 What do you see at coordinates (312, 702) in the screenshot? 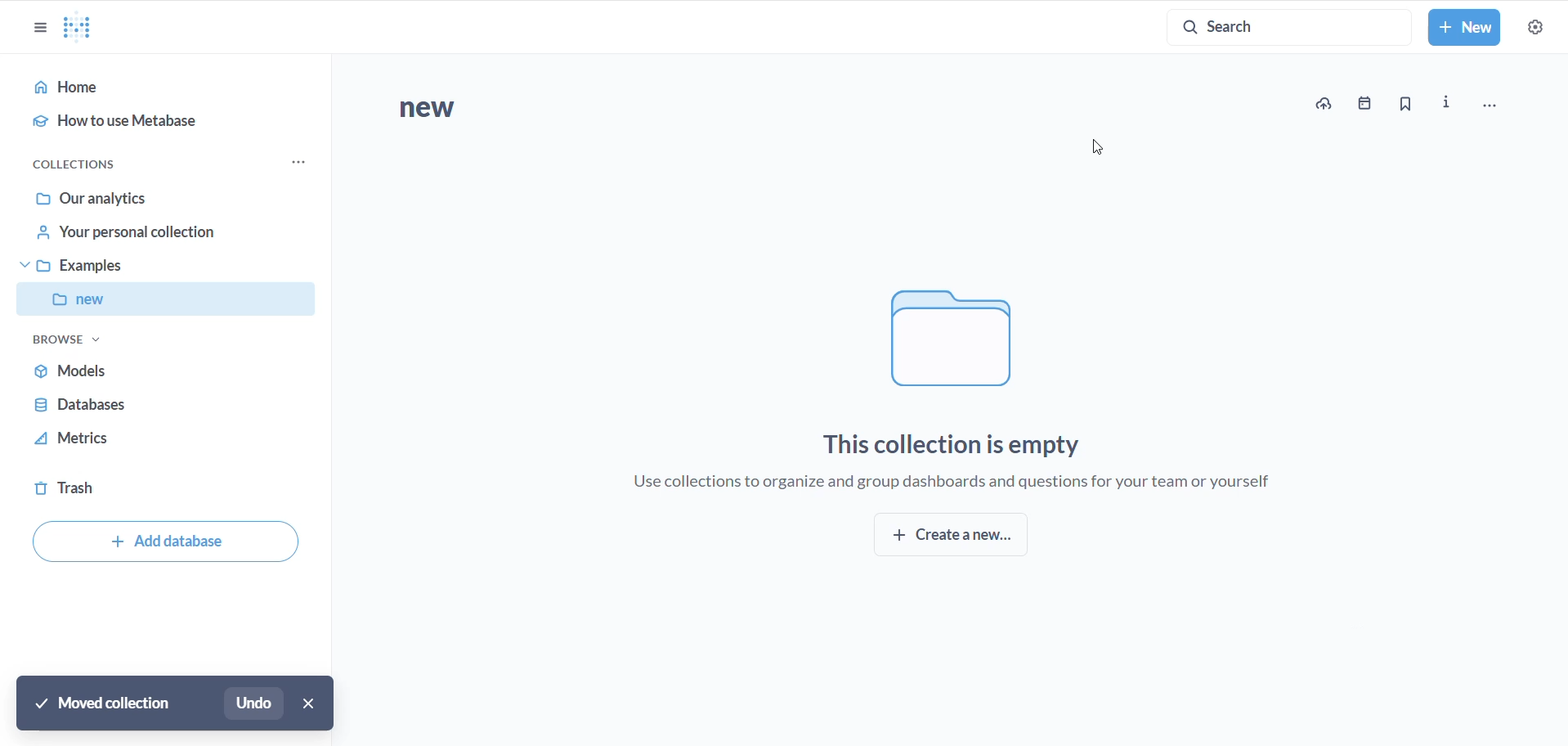
I see `CLOSE` at bounding box center [312, 702].